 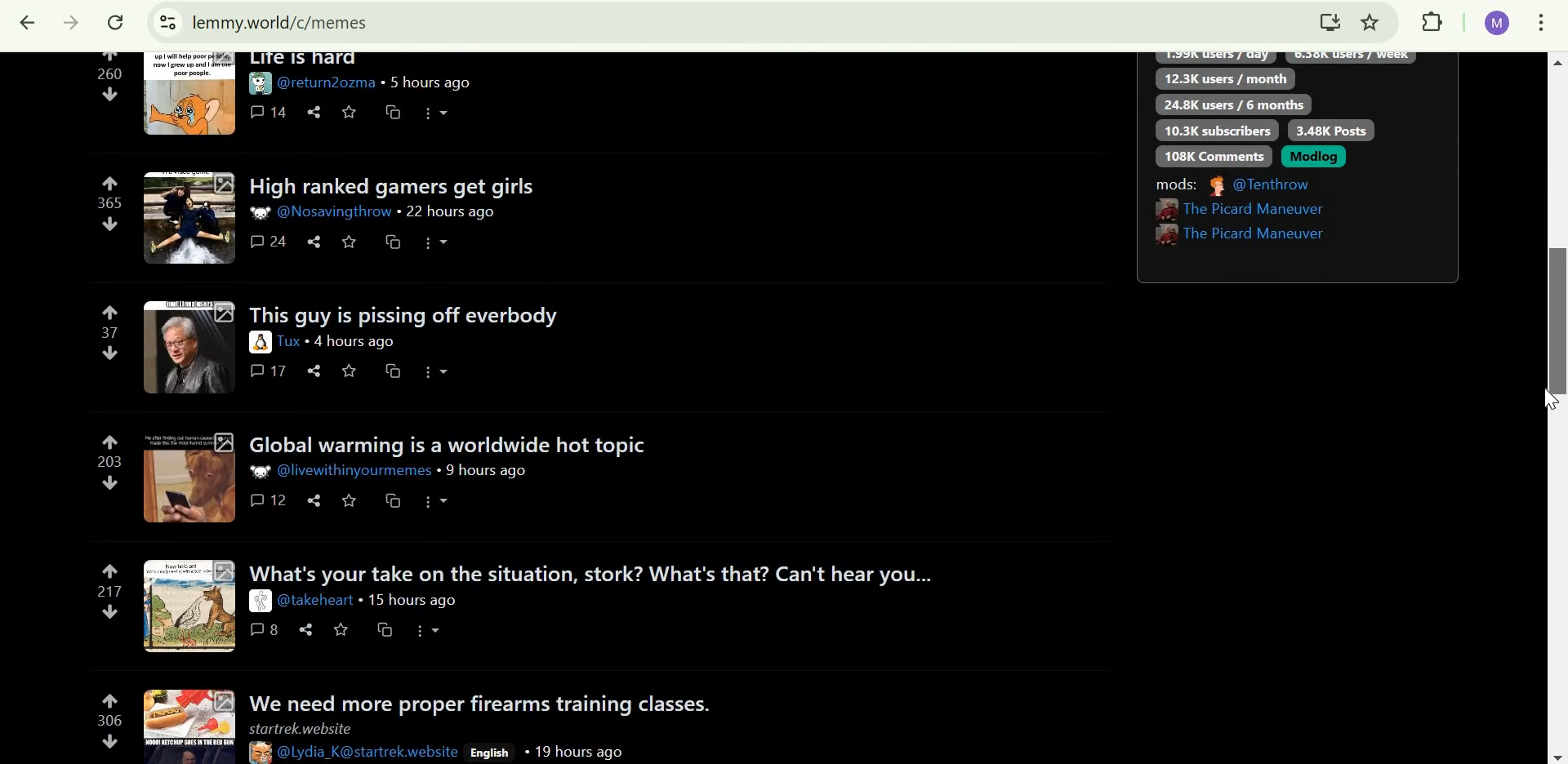 What do you see at coordinates (109, 614) in the screenshot?
I see `downvote` at bounding box center [109, 614].